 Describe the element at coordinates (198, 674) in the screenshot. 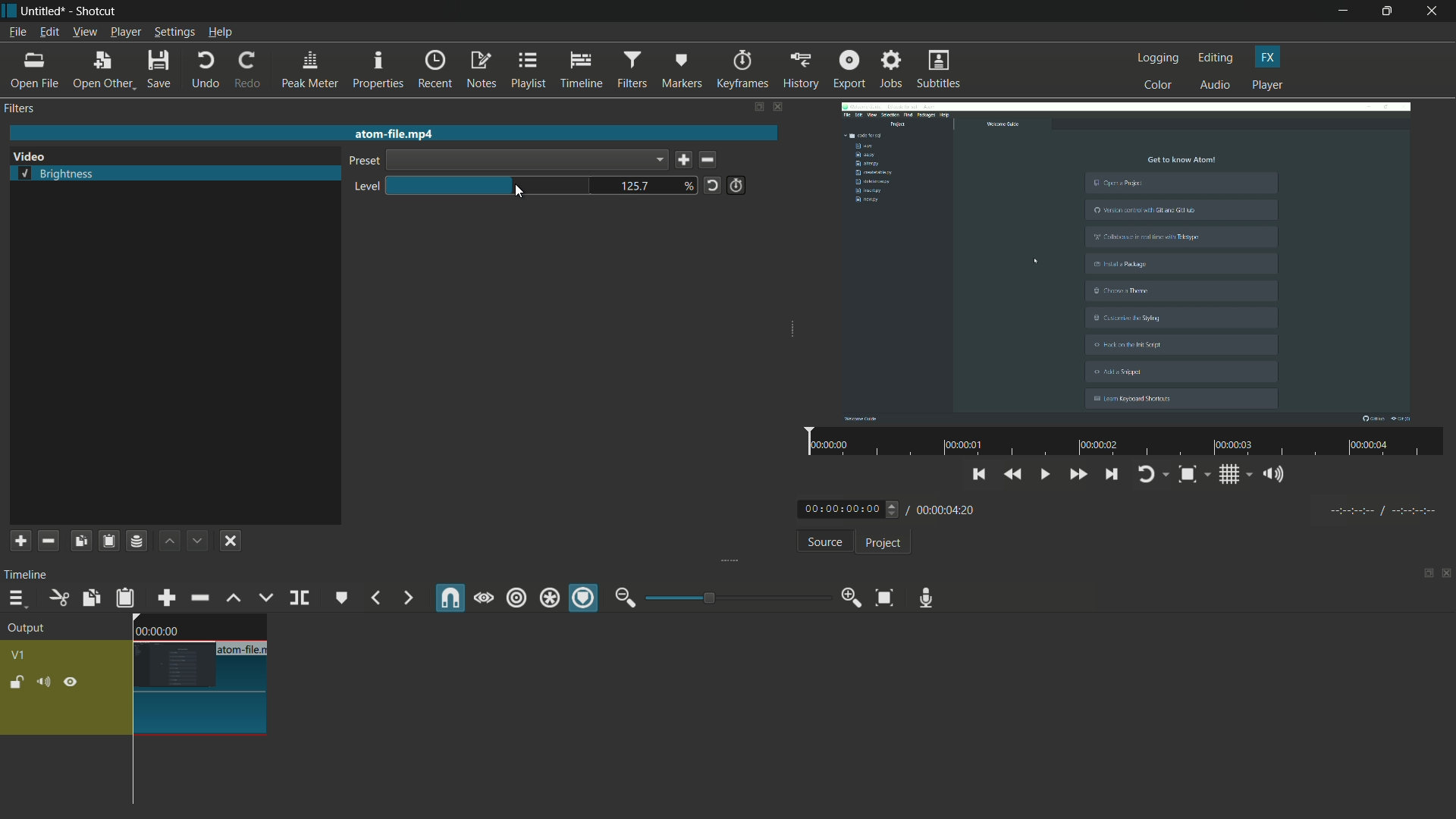

I see `video on timeline` at that location.